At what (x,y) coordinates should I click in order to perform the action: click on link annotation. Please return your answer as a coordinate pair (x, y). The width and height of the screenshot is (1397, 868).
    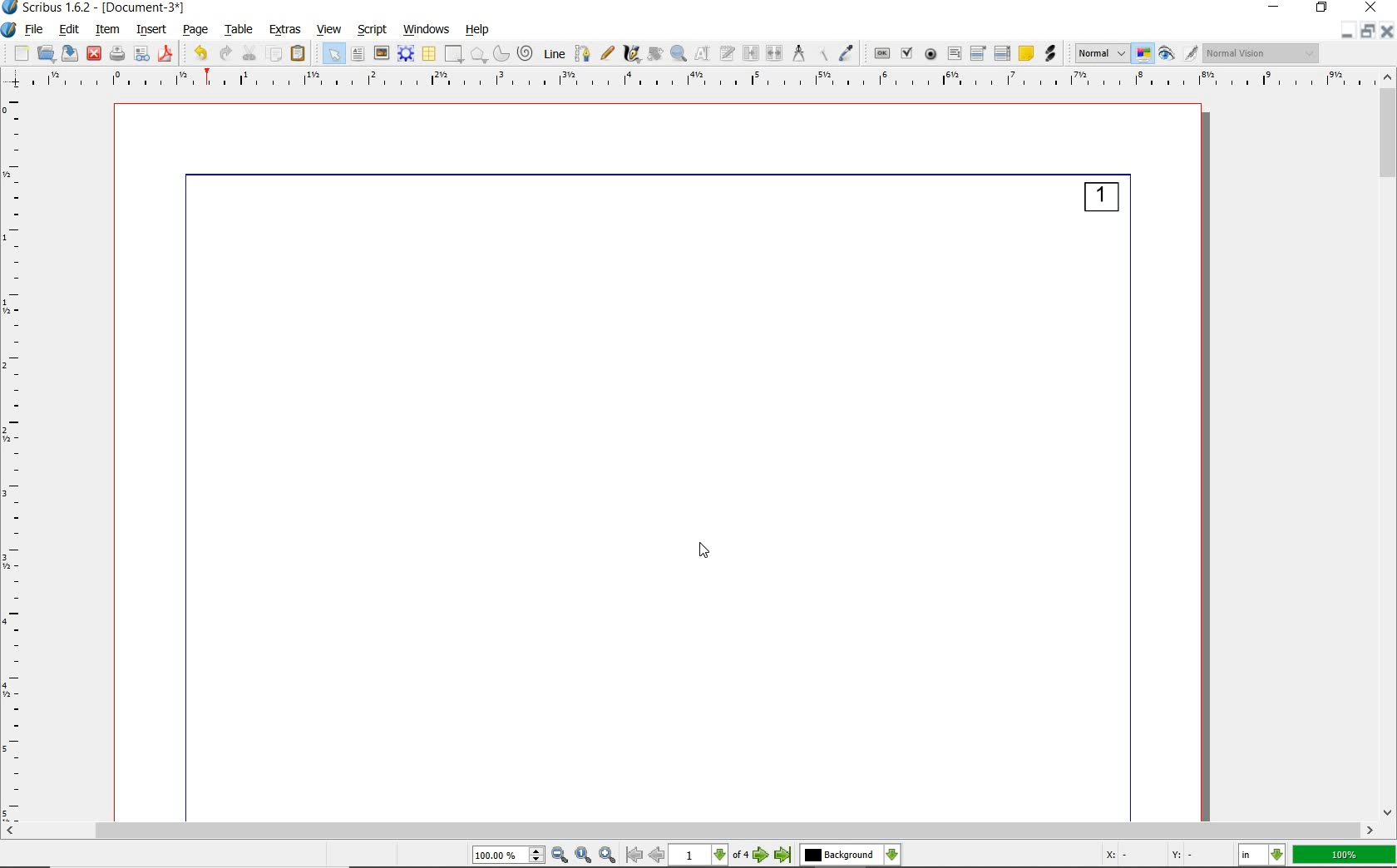
    Looking at the image, I should click on (1050, 53).